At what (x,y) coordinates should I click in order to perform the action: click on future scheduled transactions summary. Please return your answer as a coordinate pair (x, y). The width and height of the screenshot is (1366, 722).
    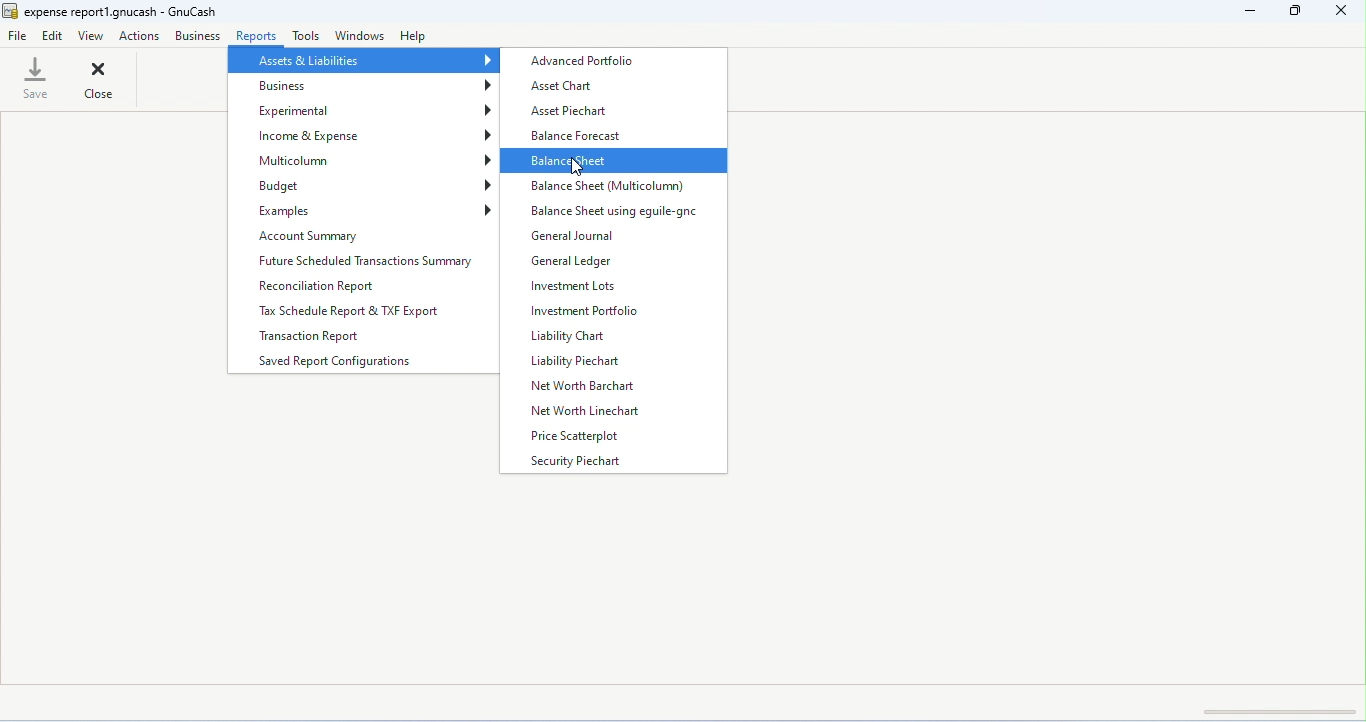
    Looking at the image, I should click on (364, 260).